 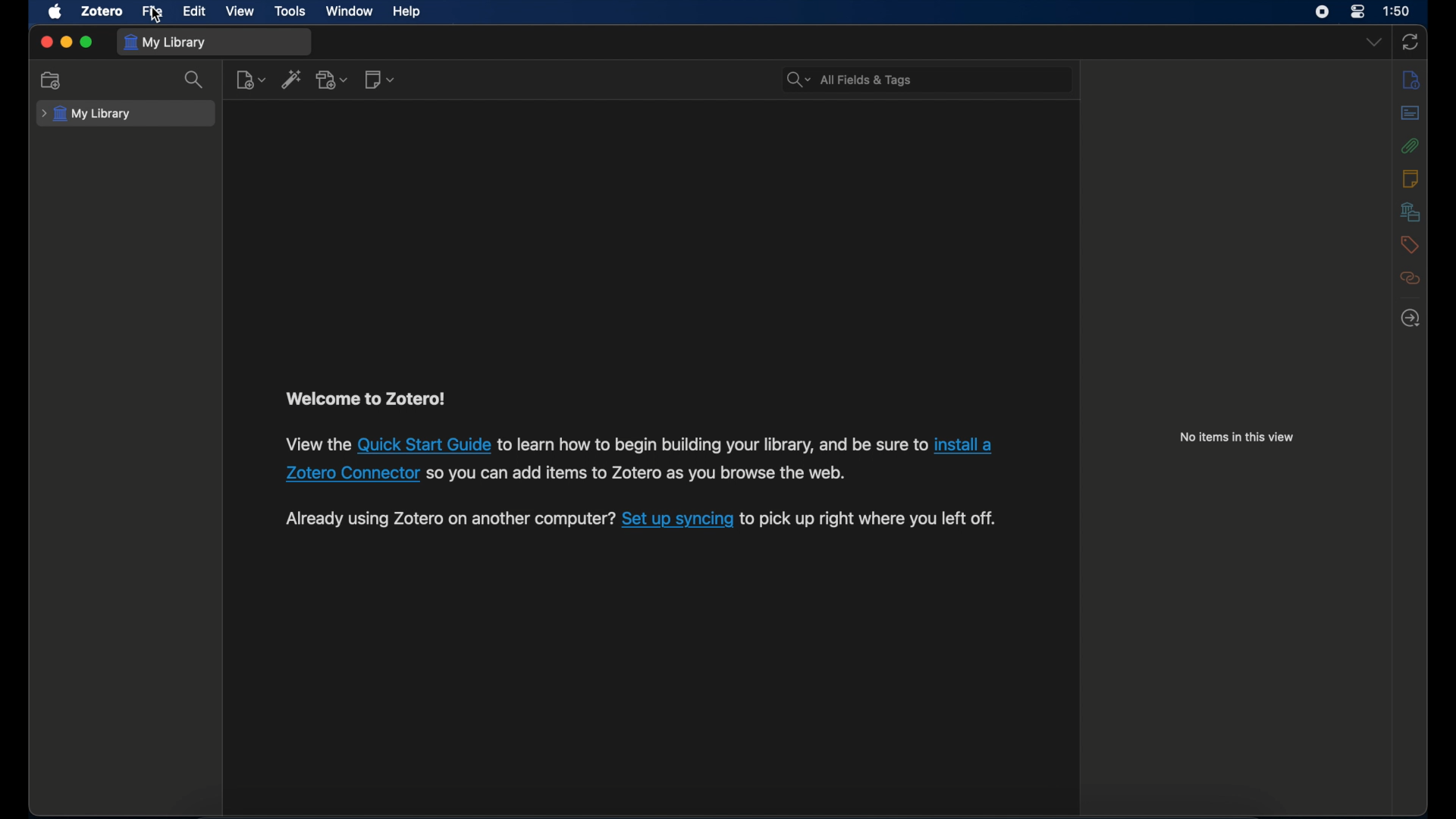 I want to click on info, so click(x=1411, y=81).